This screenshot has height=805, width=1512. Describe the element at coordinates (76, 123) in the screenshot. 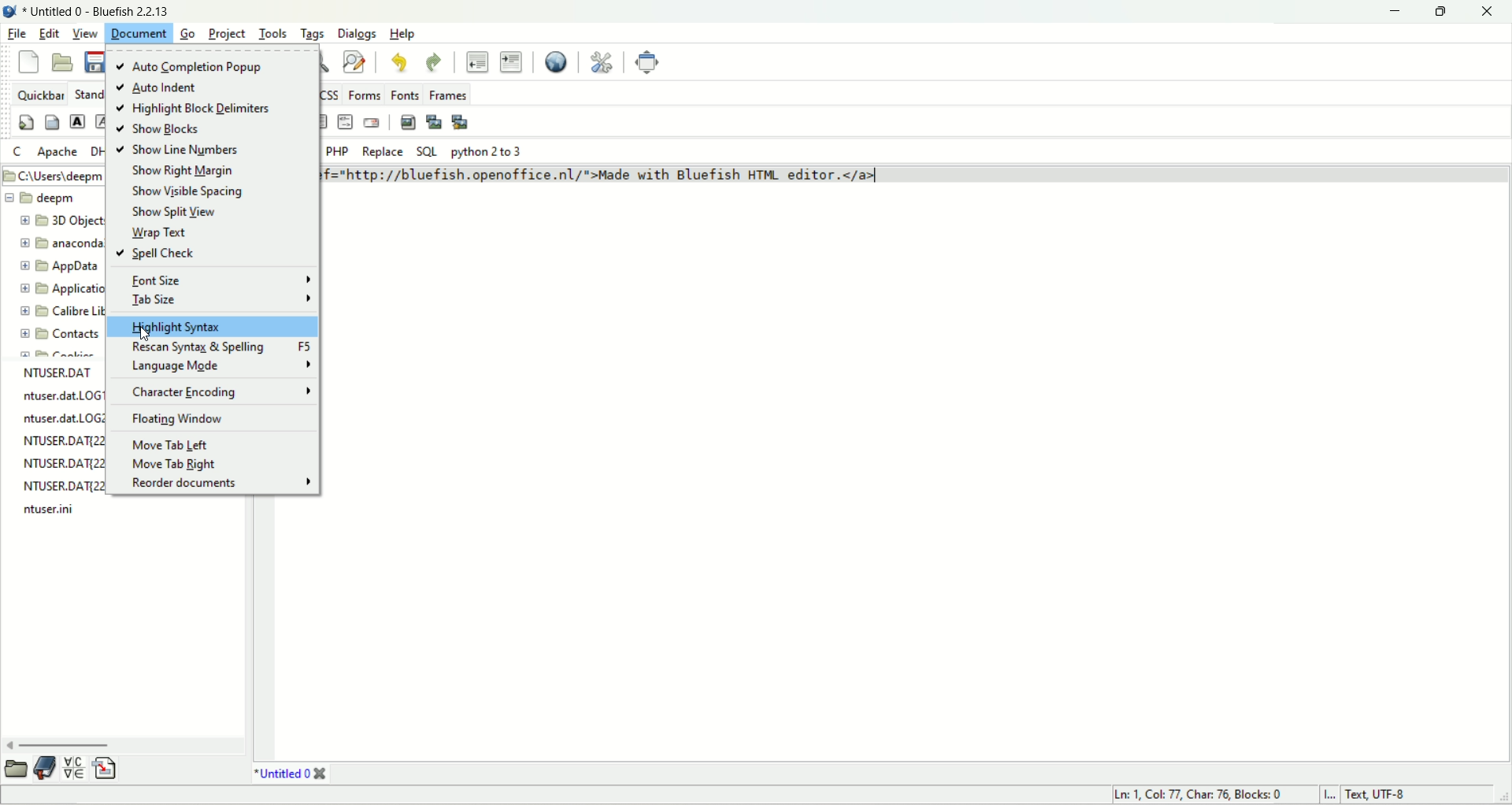

I see `strong` at that location.